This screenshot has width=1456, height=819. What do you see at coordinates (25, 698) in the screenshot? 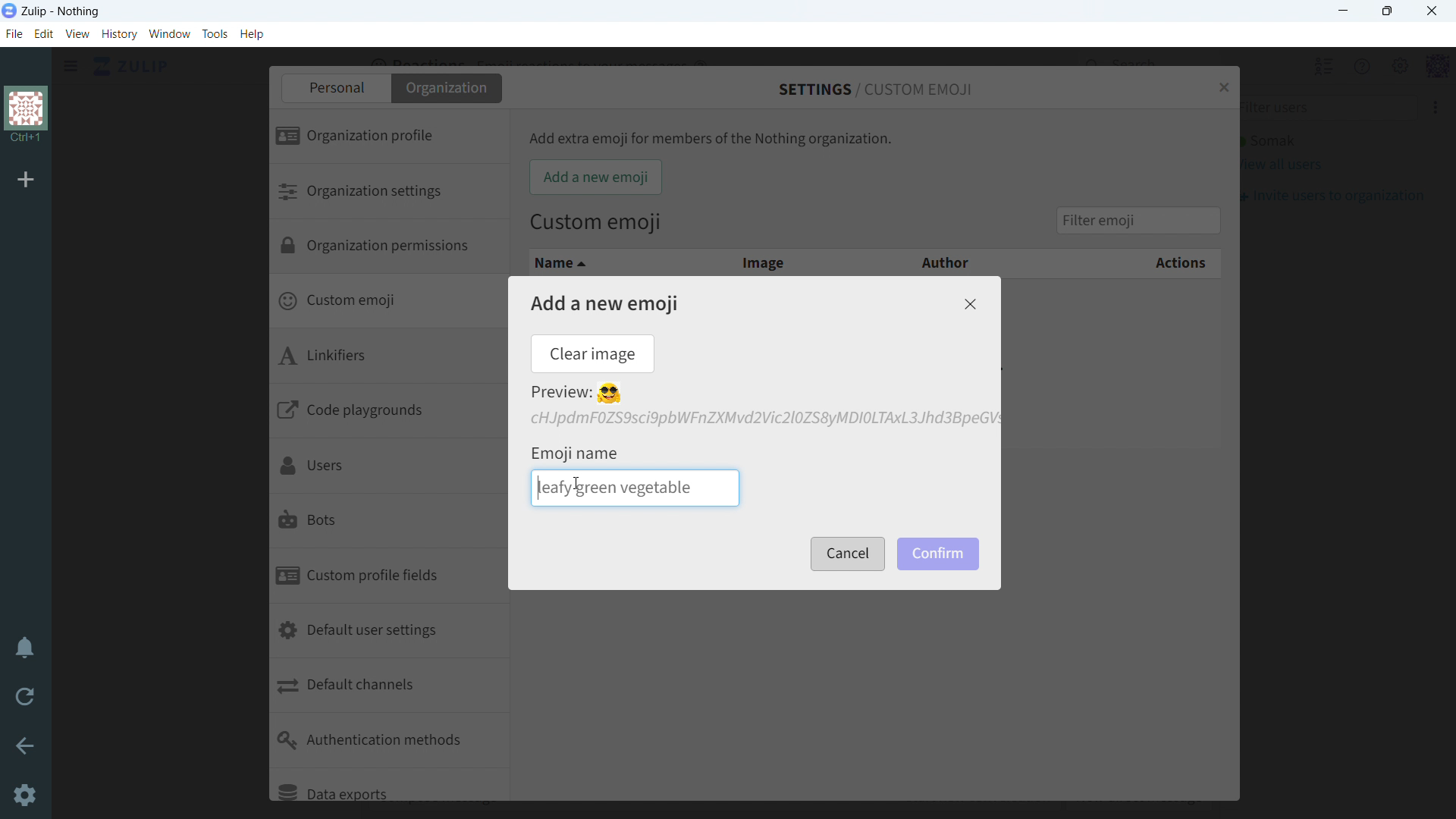
I see `reload` at bounding box center [25, 698].